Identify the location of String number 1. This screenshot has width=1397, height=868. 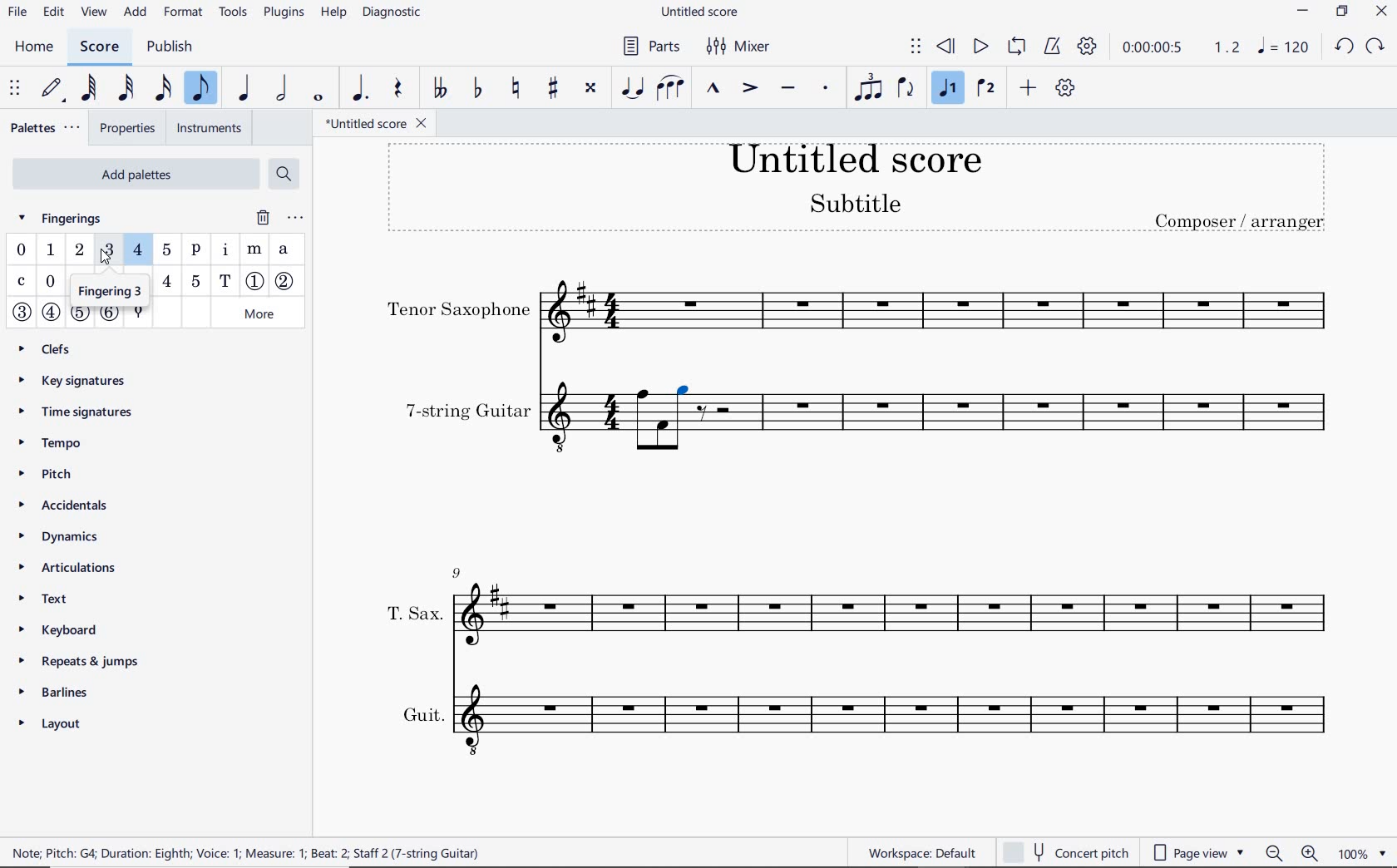
(255, 282).